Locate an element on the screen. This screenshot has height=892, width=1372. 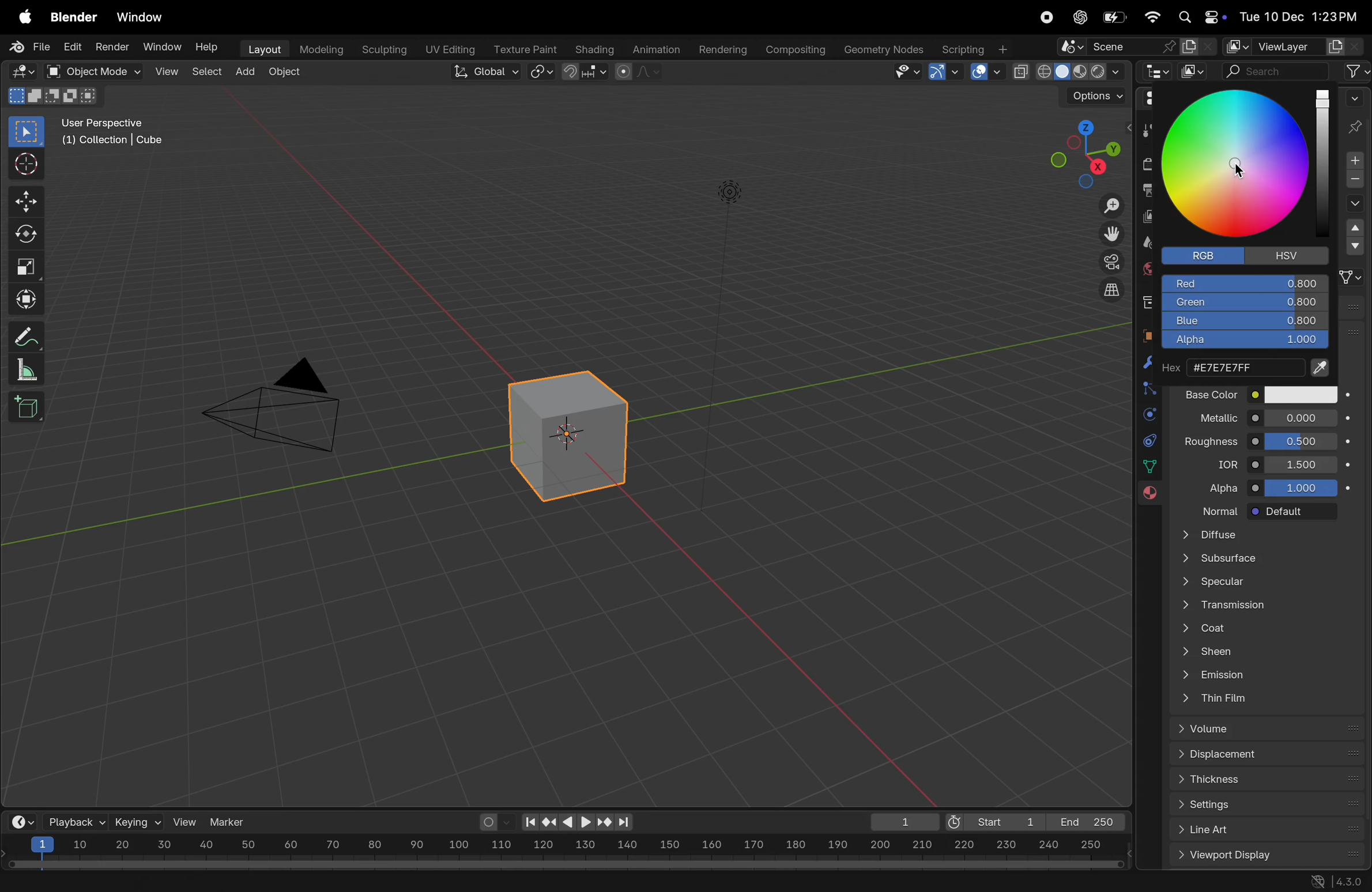
alpha is located at coordinates (1242, 343).